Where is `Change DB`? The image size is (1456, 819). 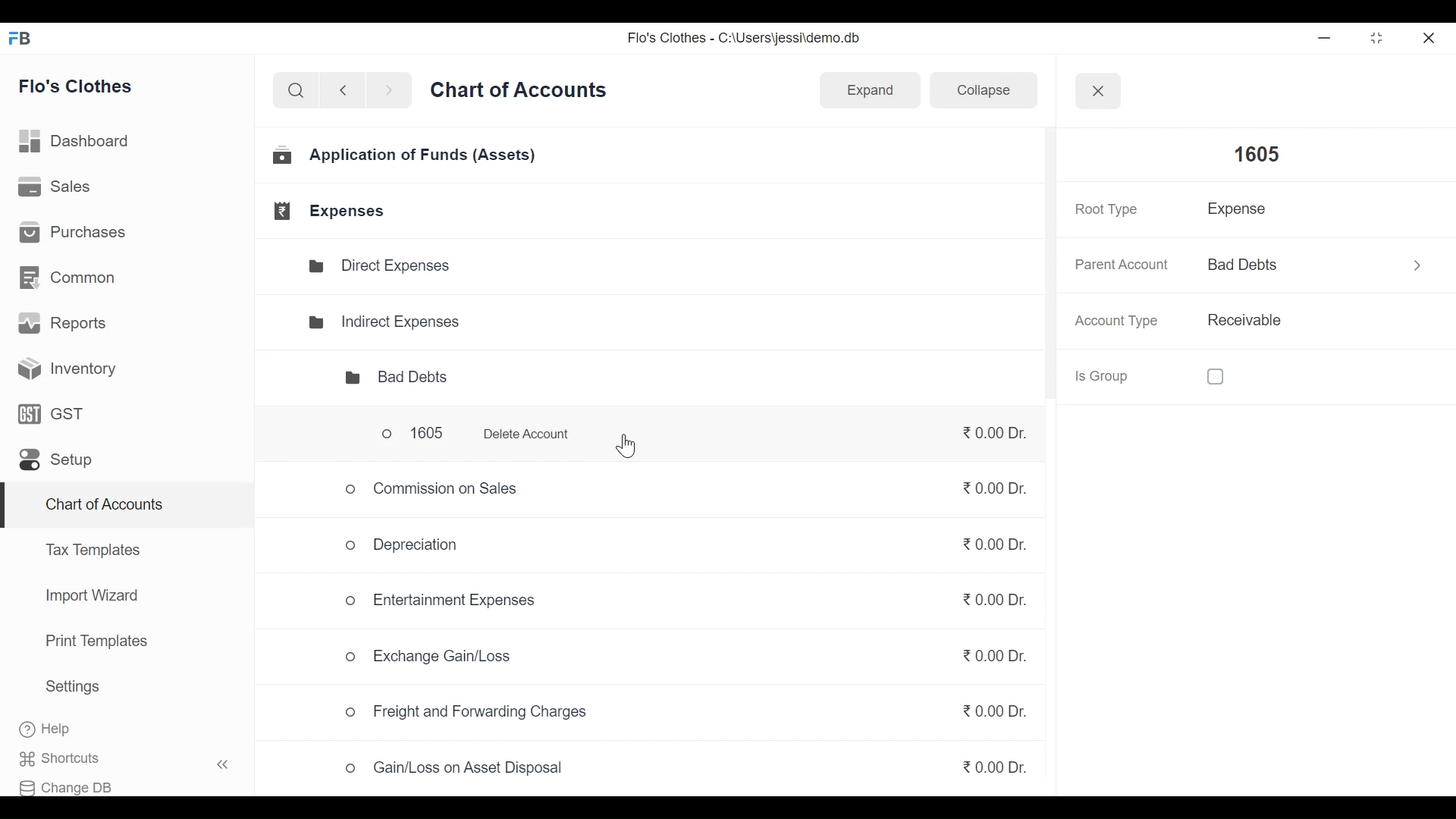
Change DB is located at coordinates (74, 784).